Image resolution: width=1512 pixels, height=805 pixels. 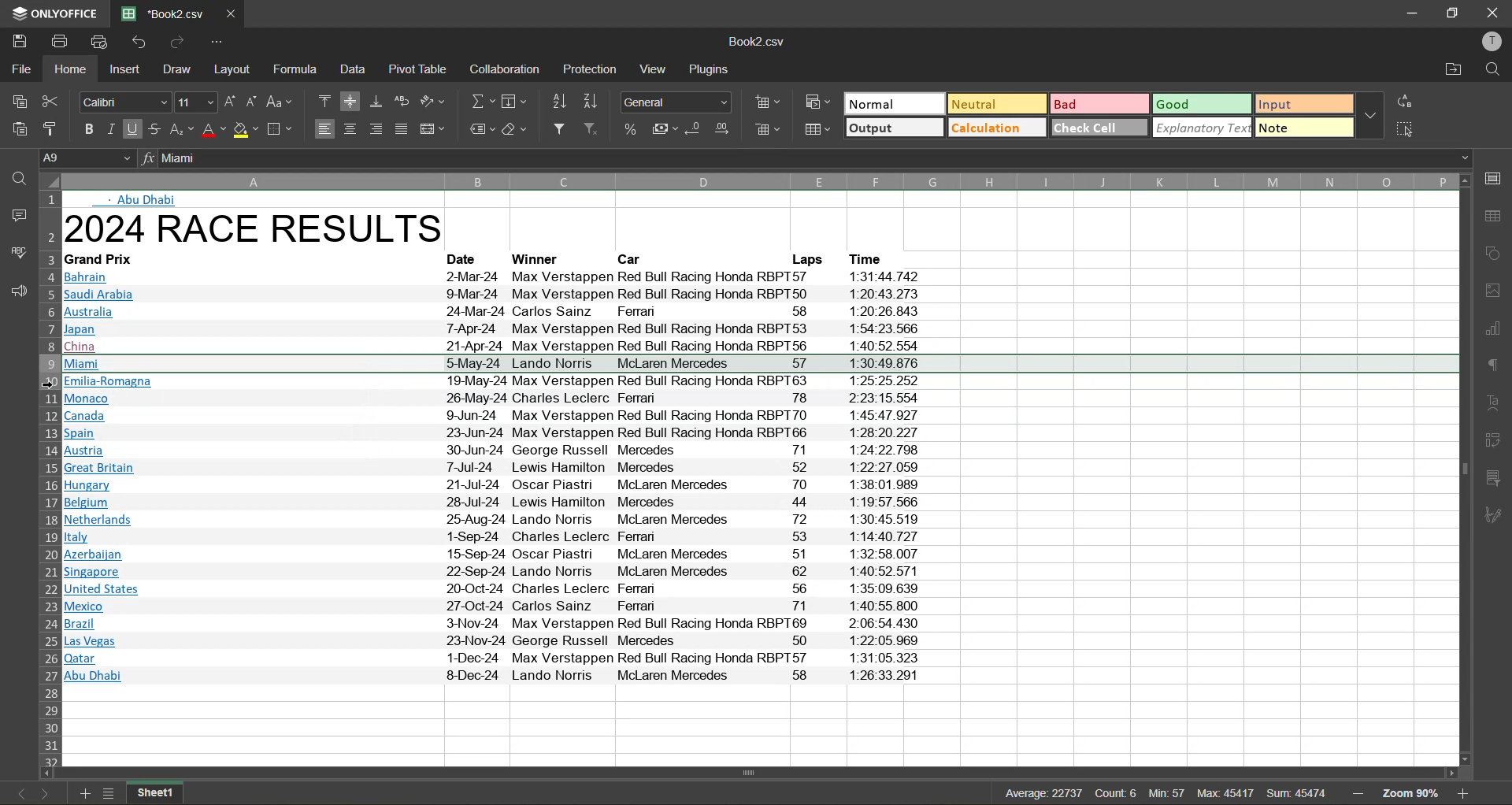 What do you see at coordinates (491, 415) in the screenshot?
I see `Canada 9-Jun-24 Max Verstappen Red Bull Racing Honda RBPT70 1:45:47 927` at bounding box center [491, 415].